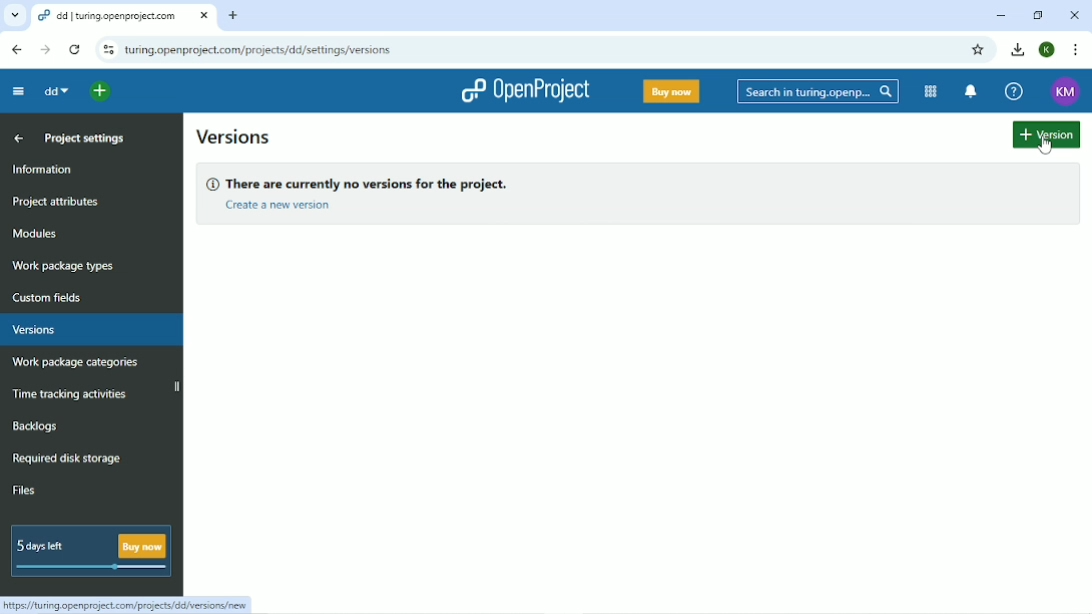 The width and height of the screenshot is (1092, 614). I want to click on Download, so click(1016, 49).